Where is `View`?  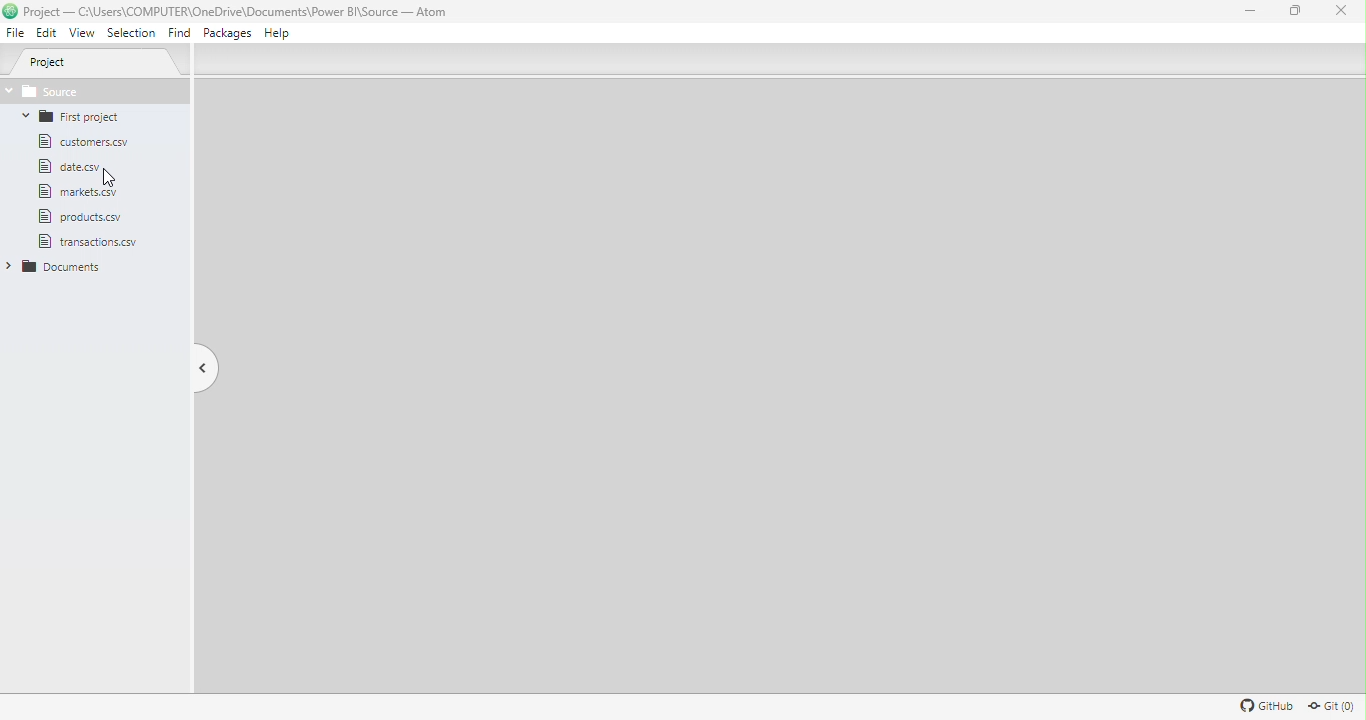 View is located at coordinates (84, 34).